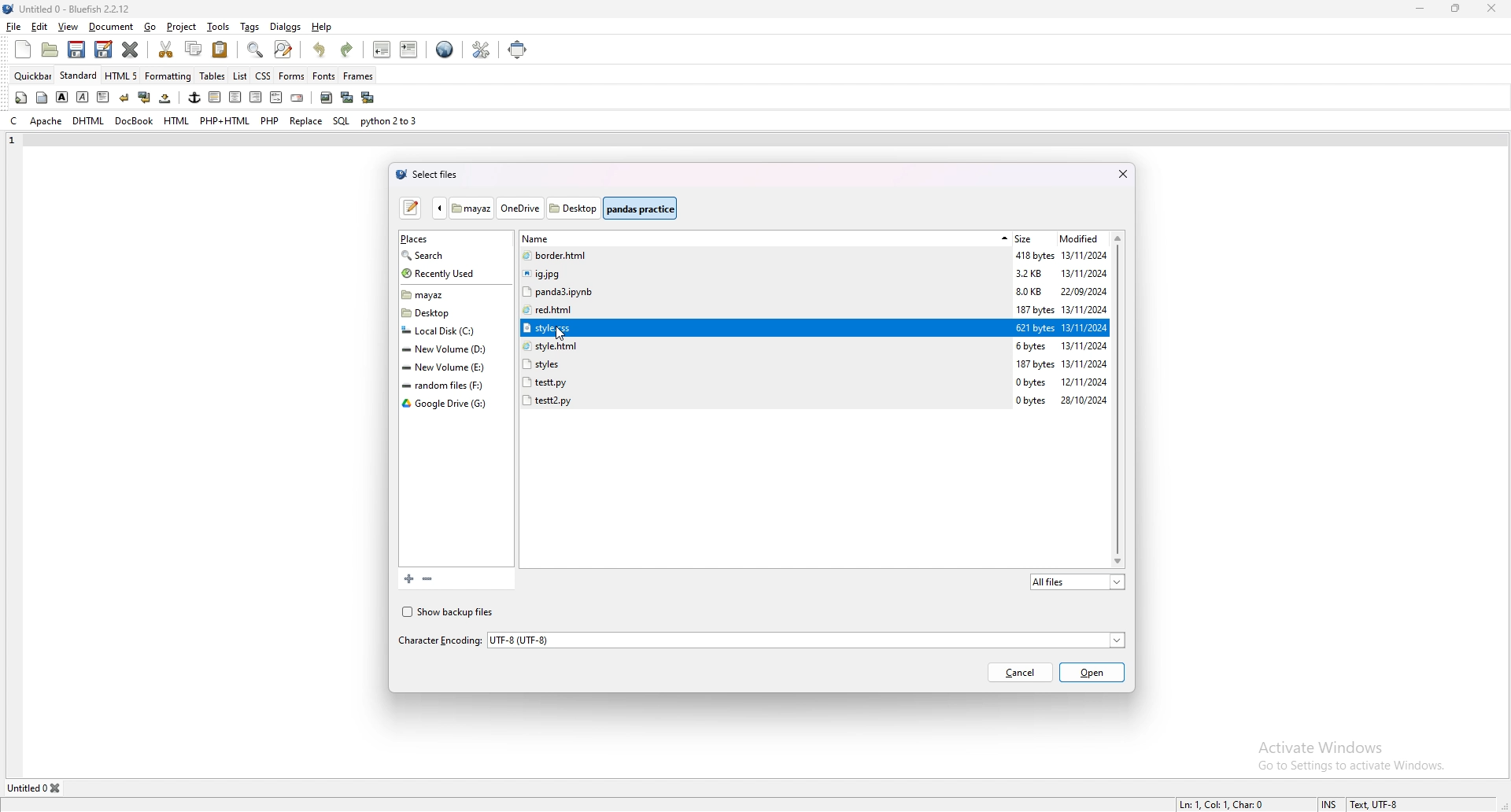 The image size is (1511, 812). What do you see at coordinates (453, 312) in the screenshot?
I see `folder` at bounding box center [453, 312].